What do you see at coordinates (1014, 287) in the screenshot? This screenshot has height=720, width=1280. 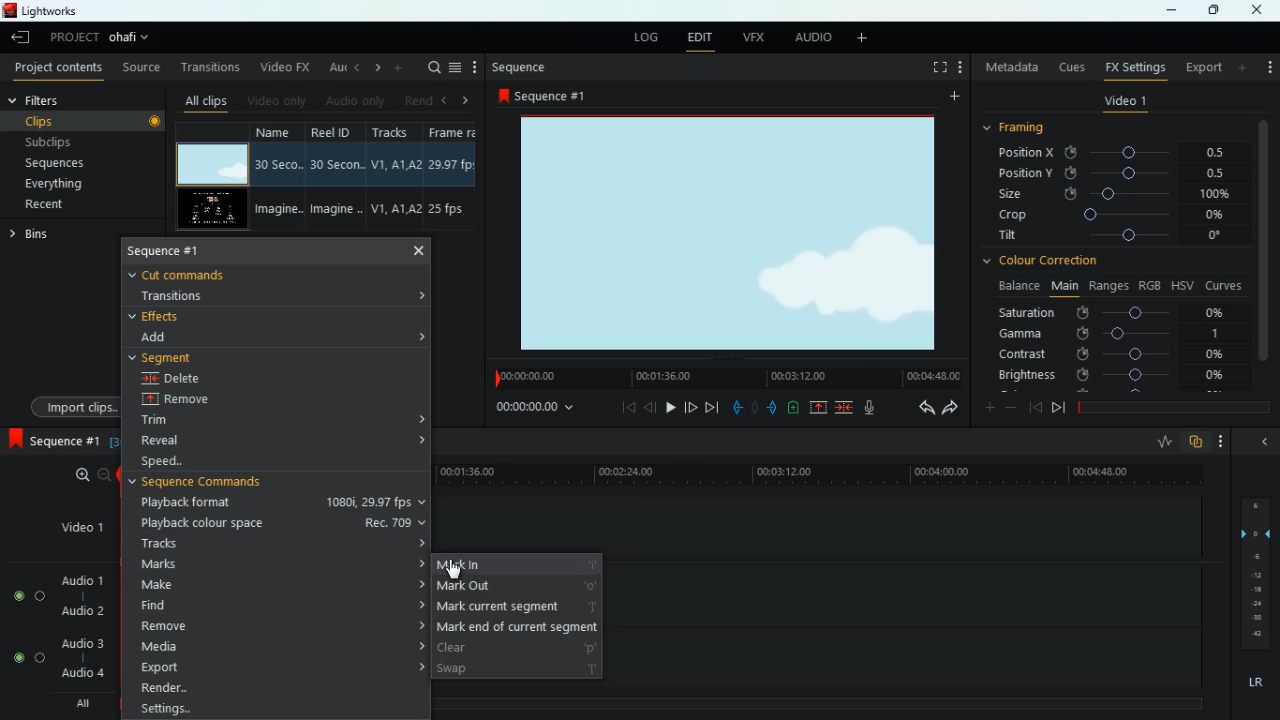 I see `balance` at bounding box center [1014, 287].